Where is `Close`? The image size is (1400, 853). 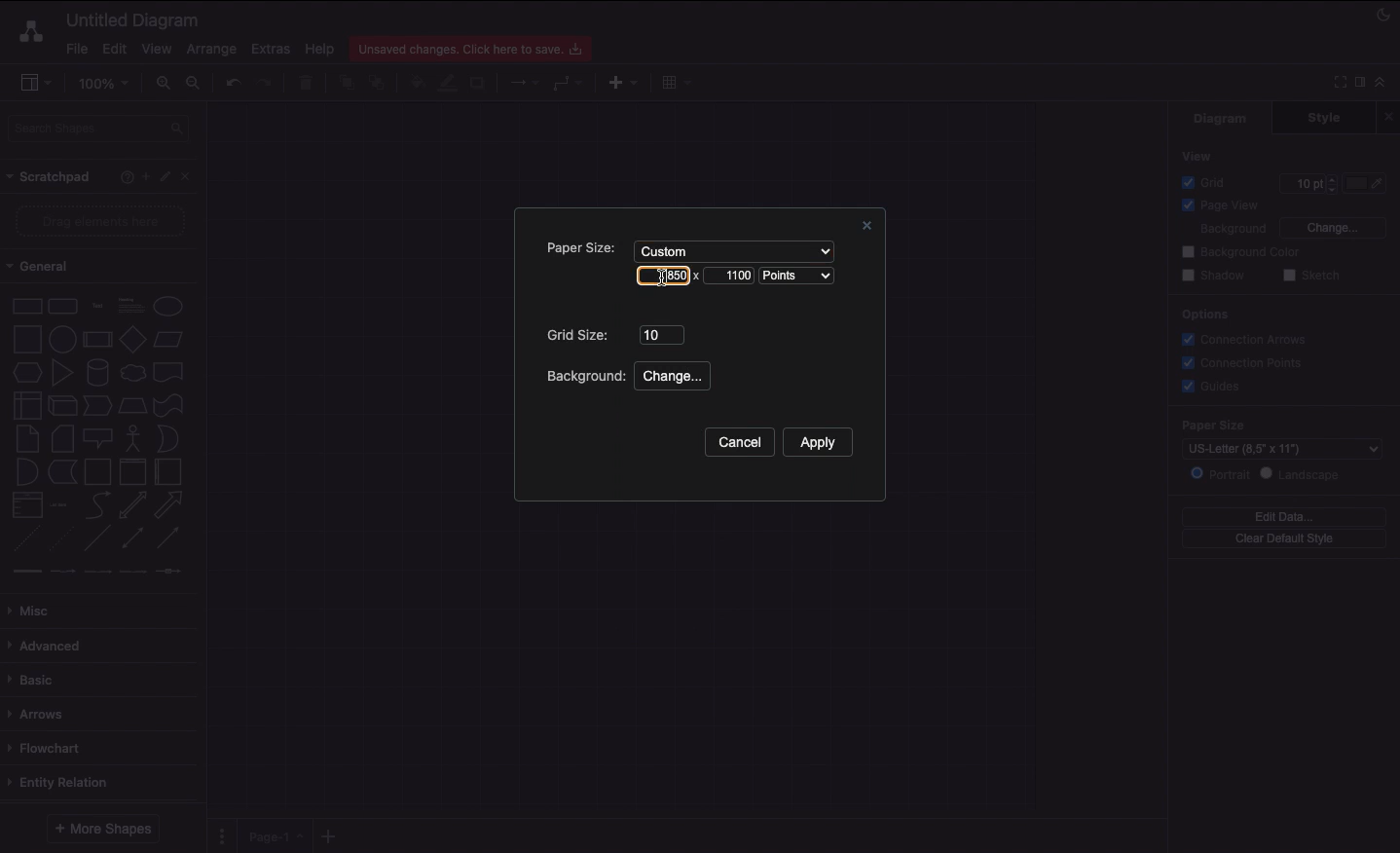 Close is located at coordinates (864, 228).